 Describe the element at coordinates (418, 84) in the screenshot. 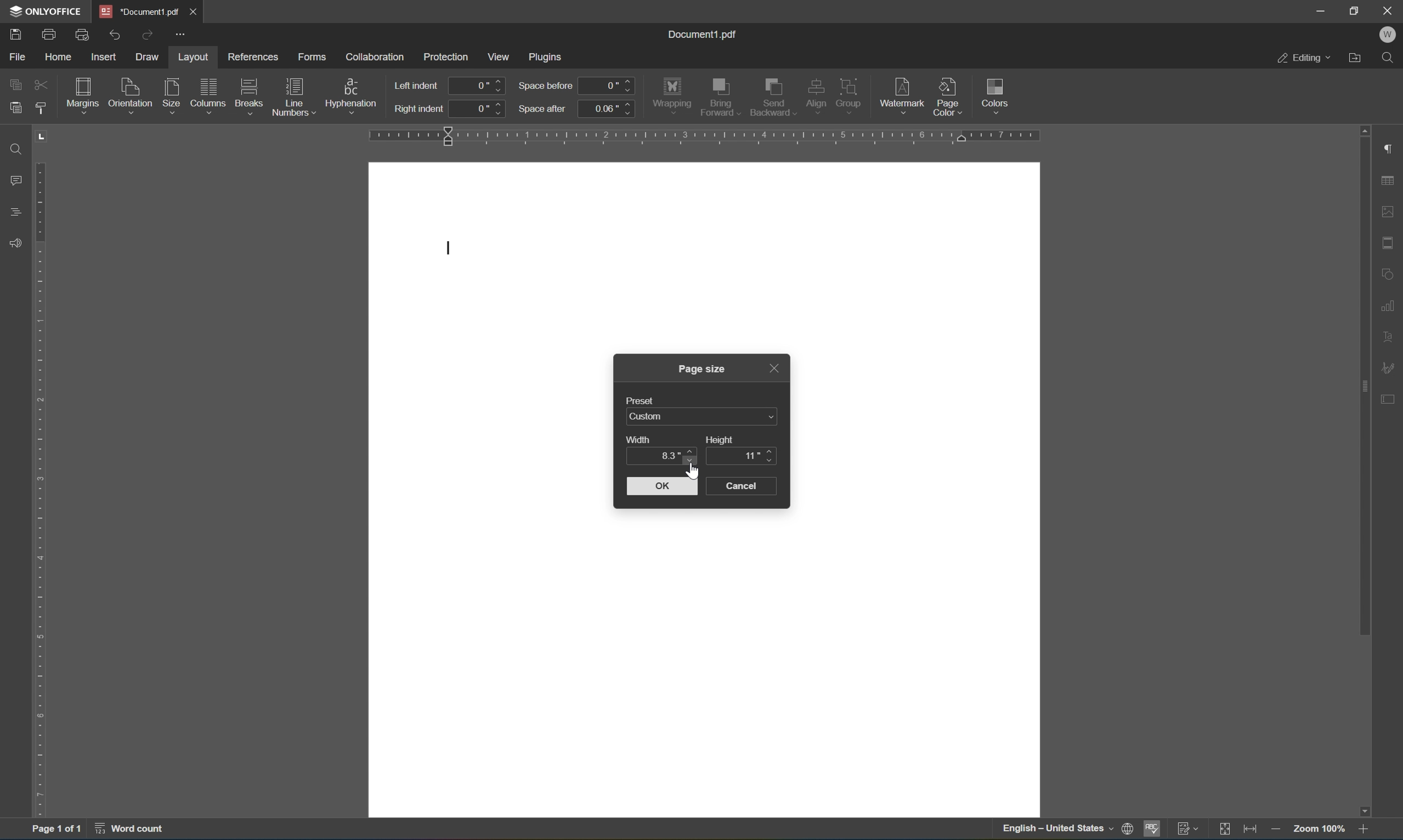

I see `left indent` at that location.